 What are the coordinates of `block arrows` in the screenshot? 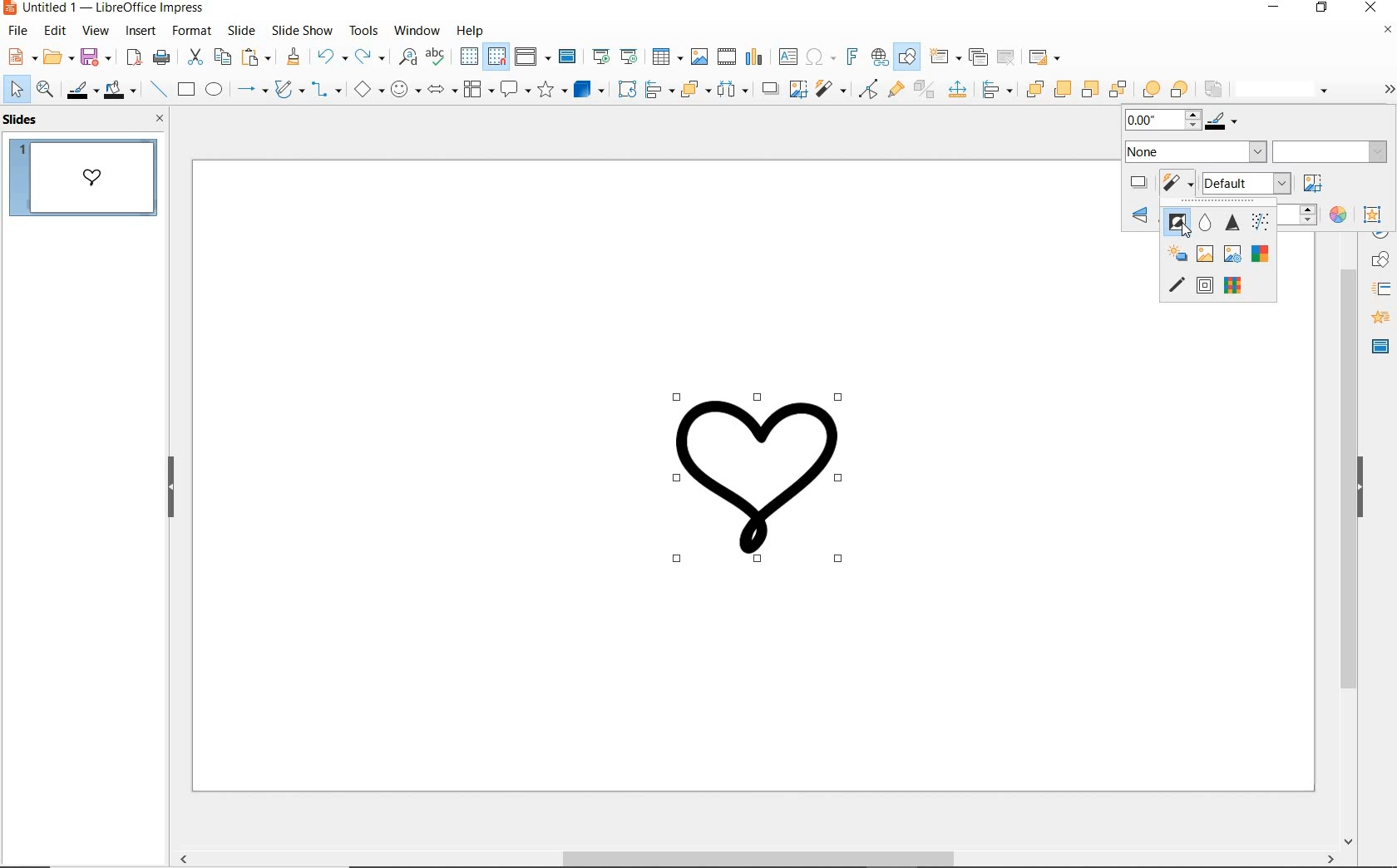 It's located at (441, 89).